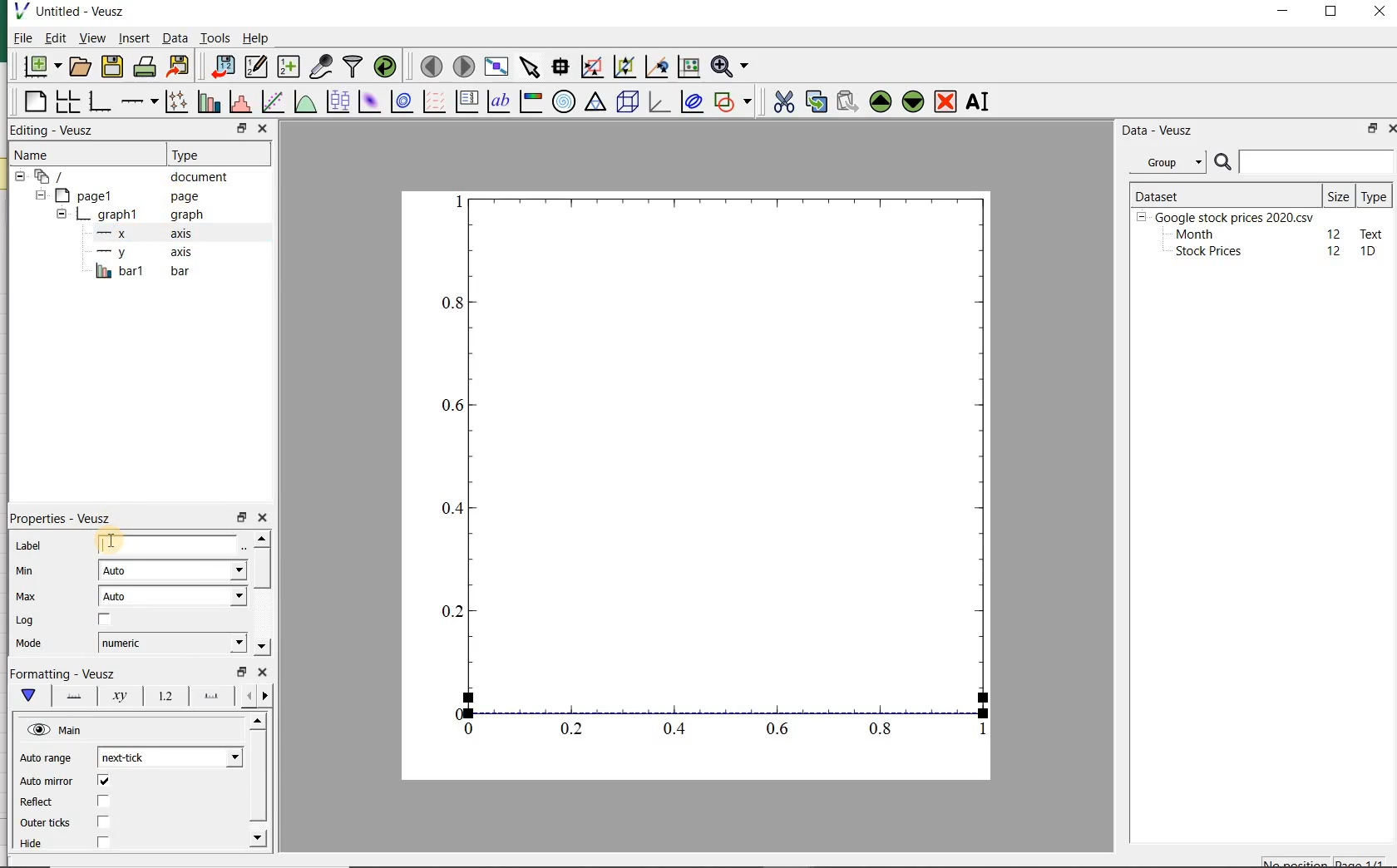  Describe the element at coordinates (27, 572) in the screenshot. I see `Min` at that location.